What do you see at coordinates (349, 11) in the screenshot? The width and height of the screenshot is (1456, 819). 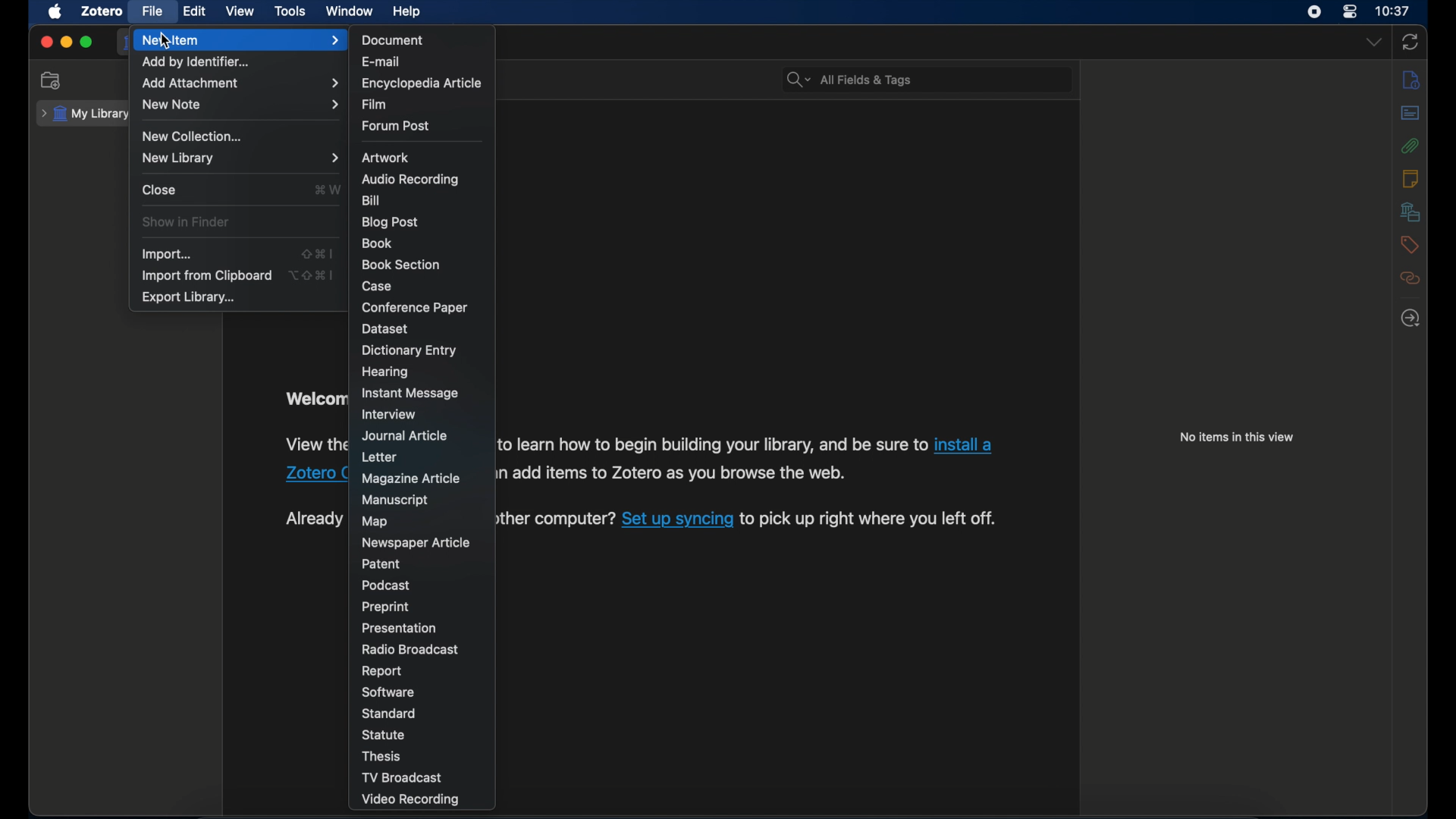 I see `window` at bounding box center [349, 11].